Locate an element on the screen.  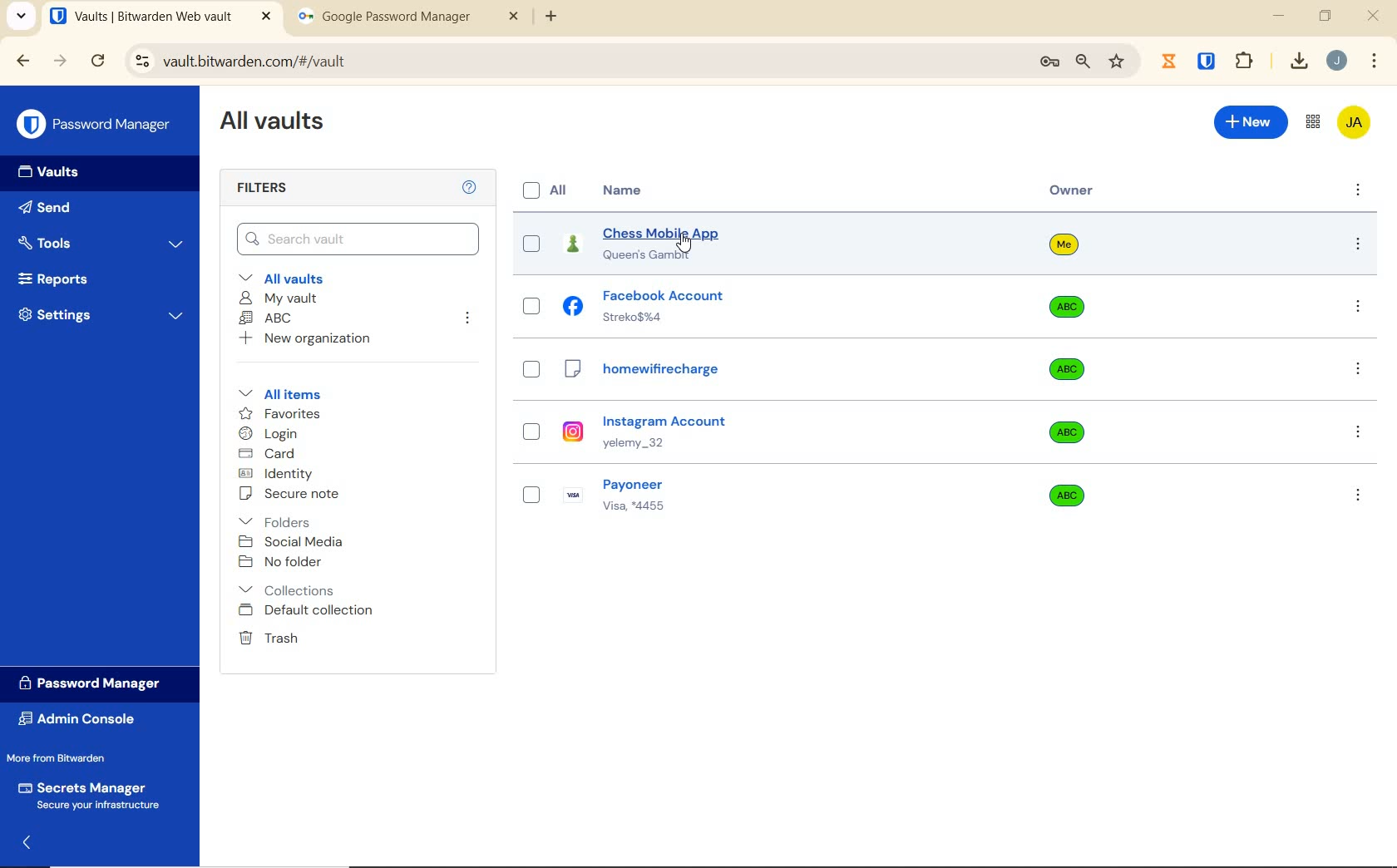
collections is located at coordinates (286, 591).